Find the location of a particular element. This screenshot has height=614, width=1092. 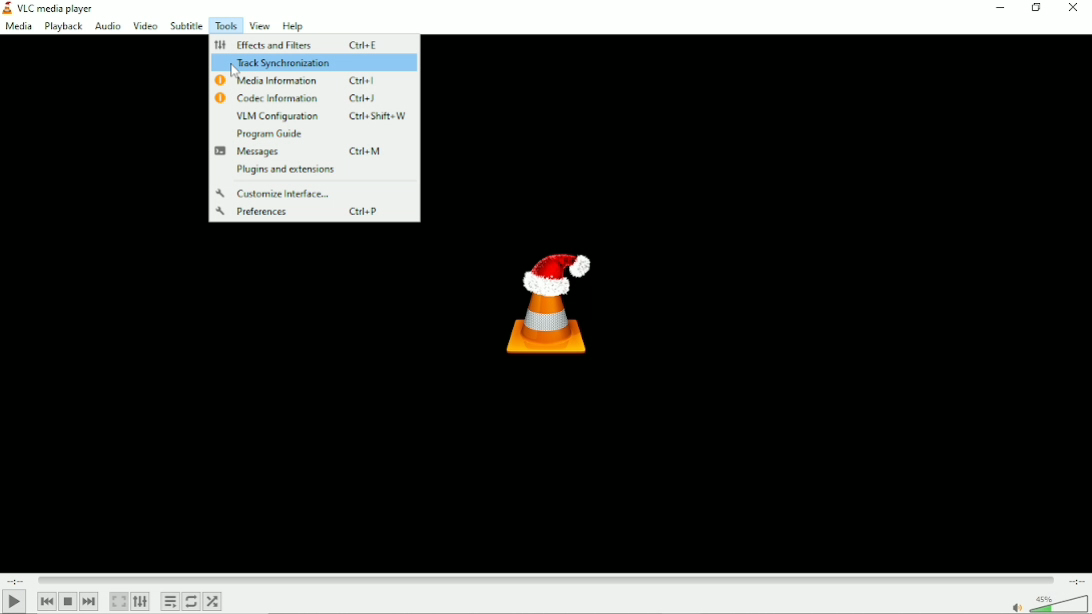

Stop playlist is located at coordinates (68, 602).